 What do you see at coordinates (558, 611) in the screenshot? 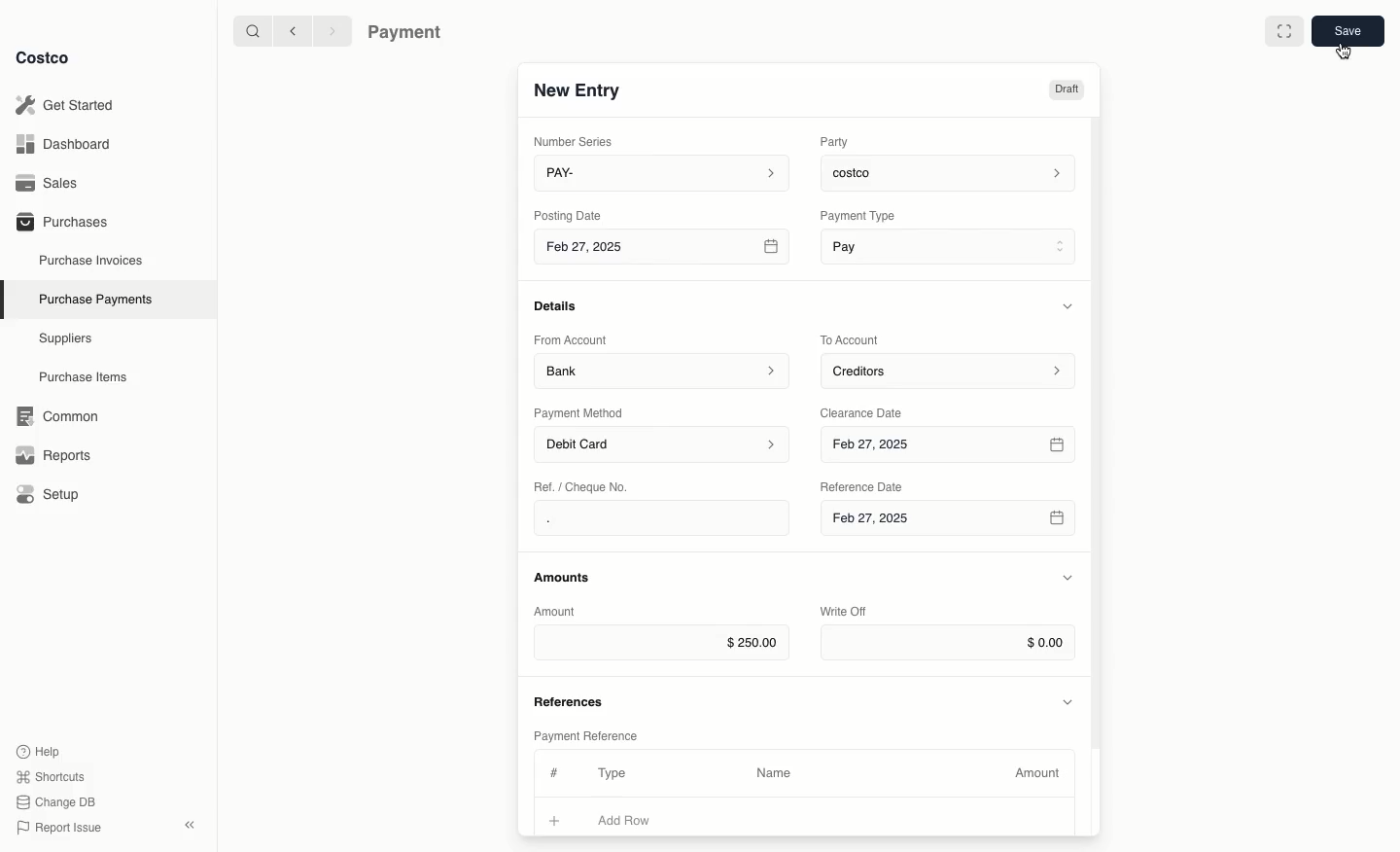
I see `Amount` at bounding box center [558, 611].